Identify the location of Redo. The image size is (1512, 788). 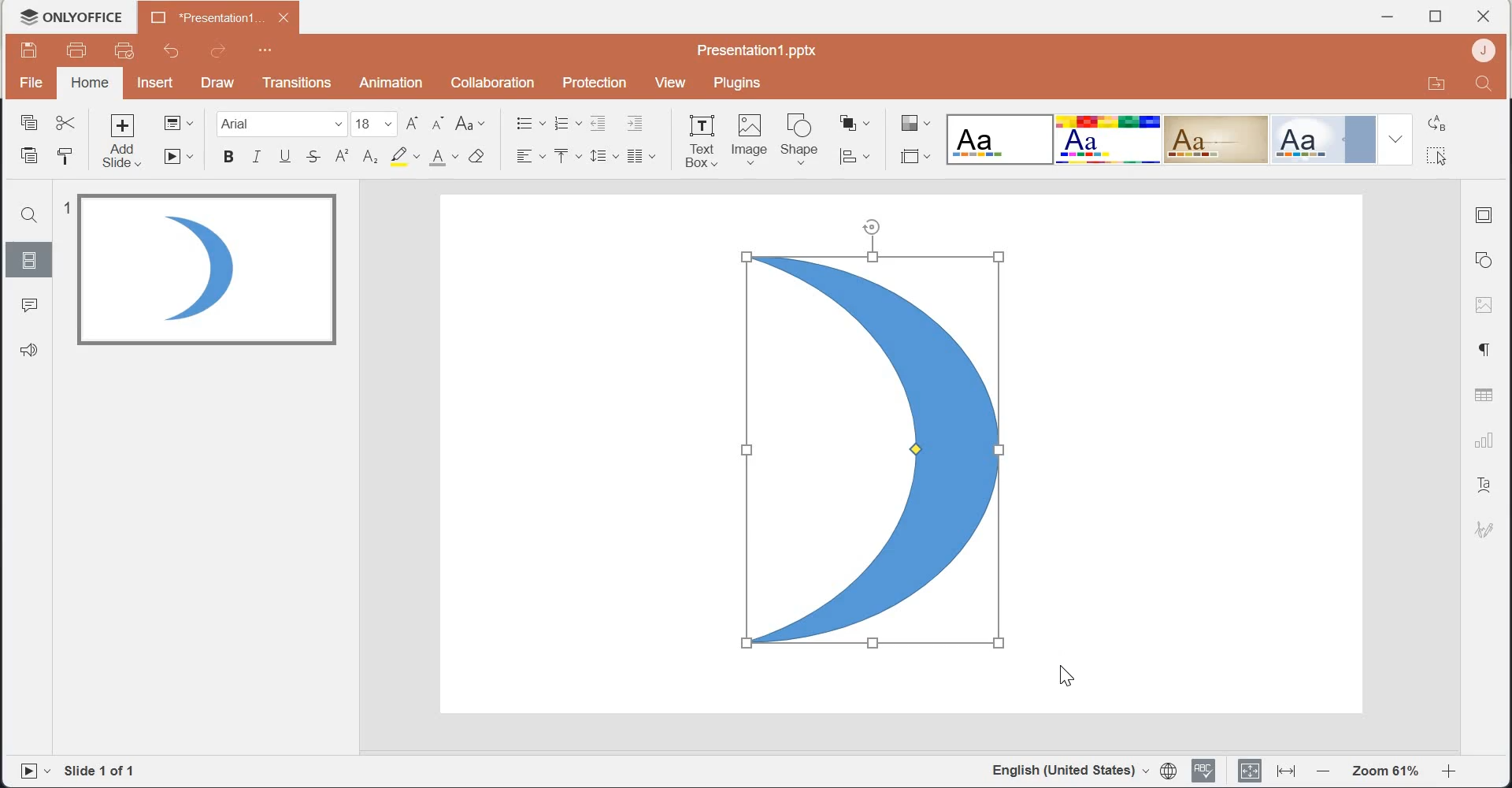
(216, 50).